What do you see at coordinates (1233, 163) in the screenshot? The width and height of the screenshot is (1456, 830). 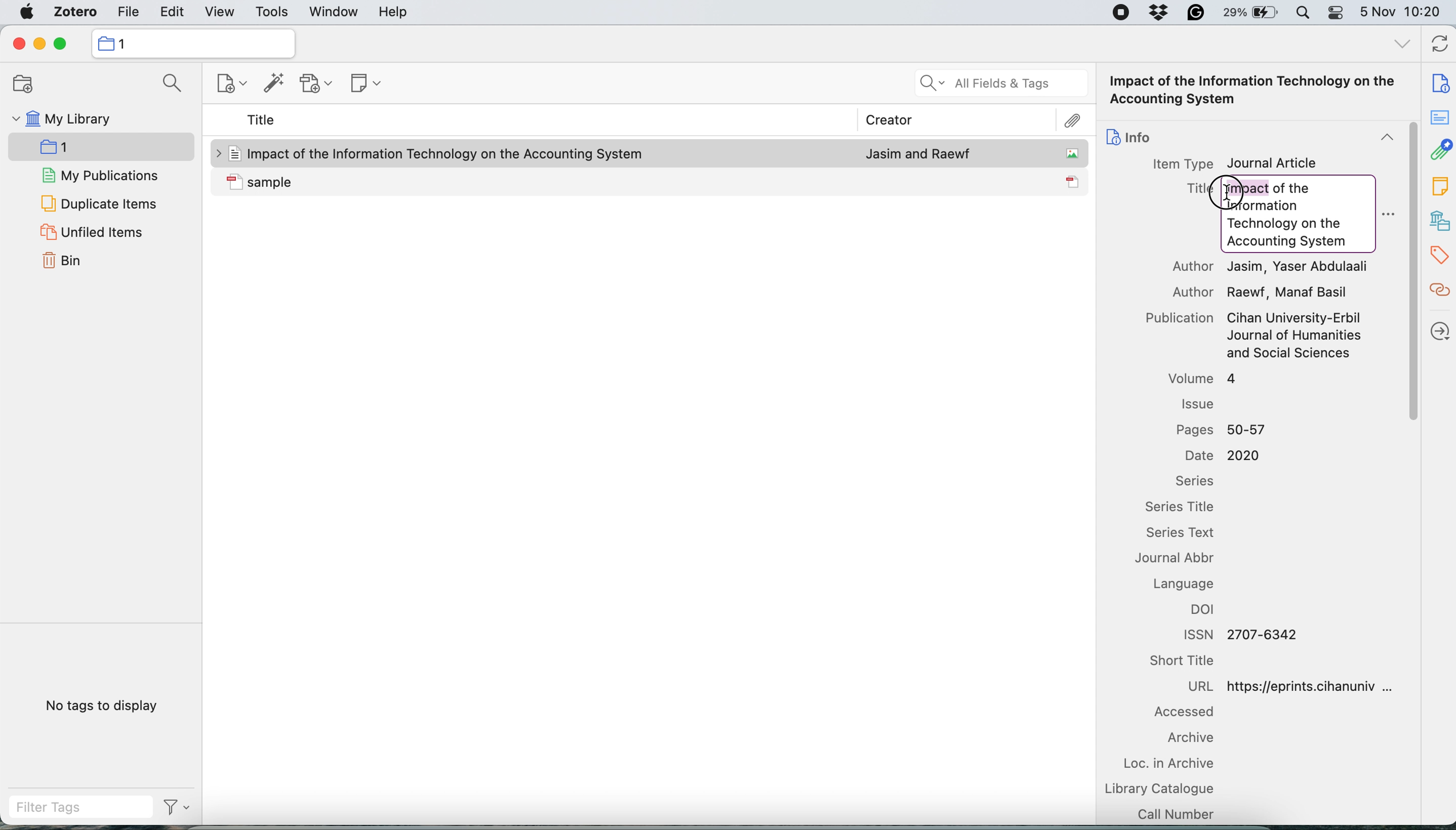 I see `Item Type Journal Article` at bounding box center [1233, 163].